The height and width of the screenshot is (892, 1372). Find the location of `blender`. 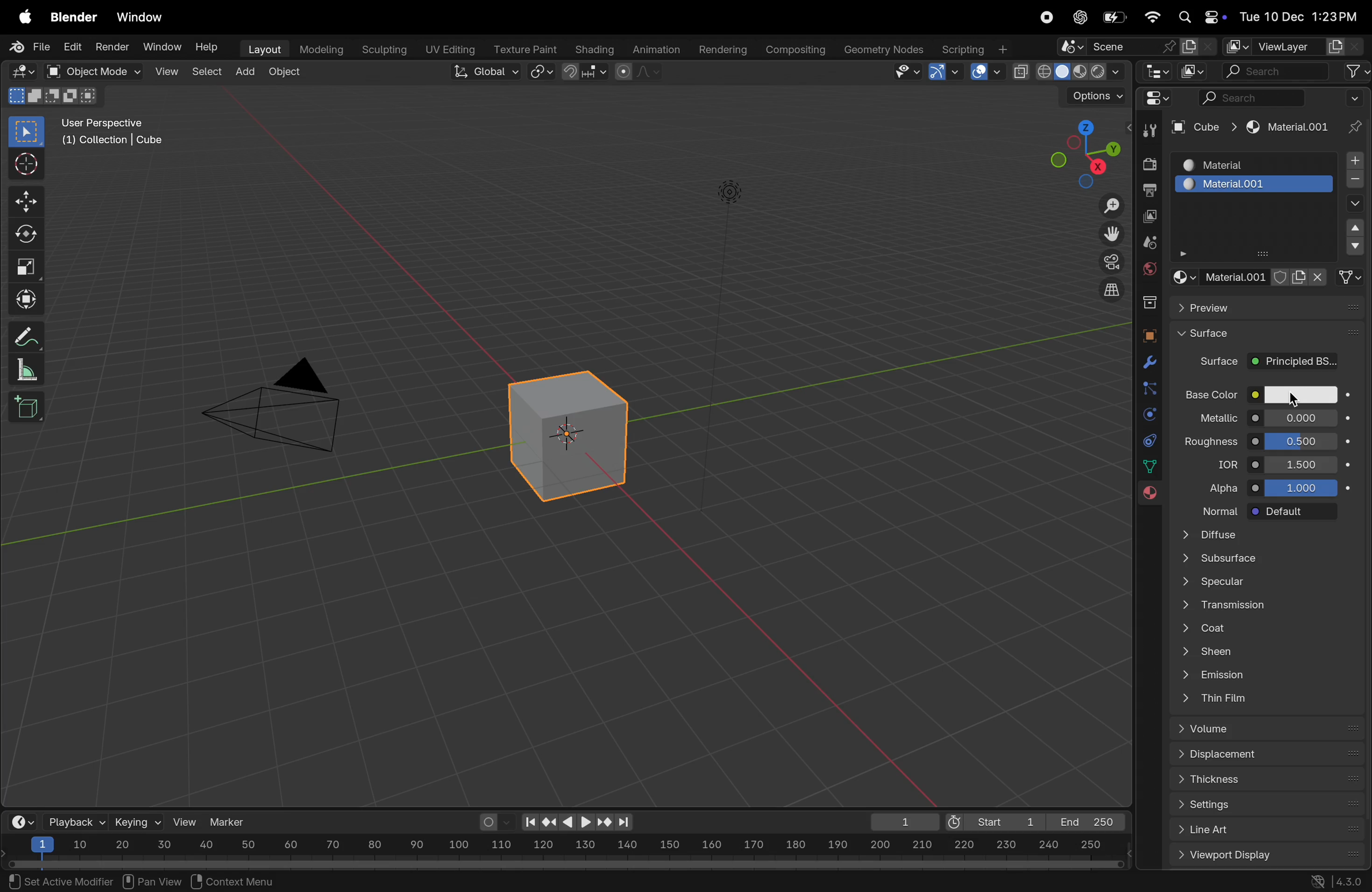

blender is located at coordinates (74, 18).